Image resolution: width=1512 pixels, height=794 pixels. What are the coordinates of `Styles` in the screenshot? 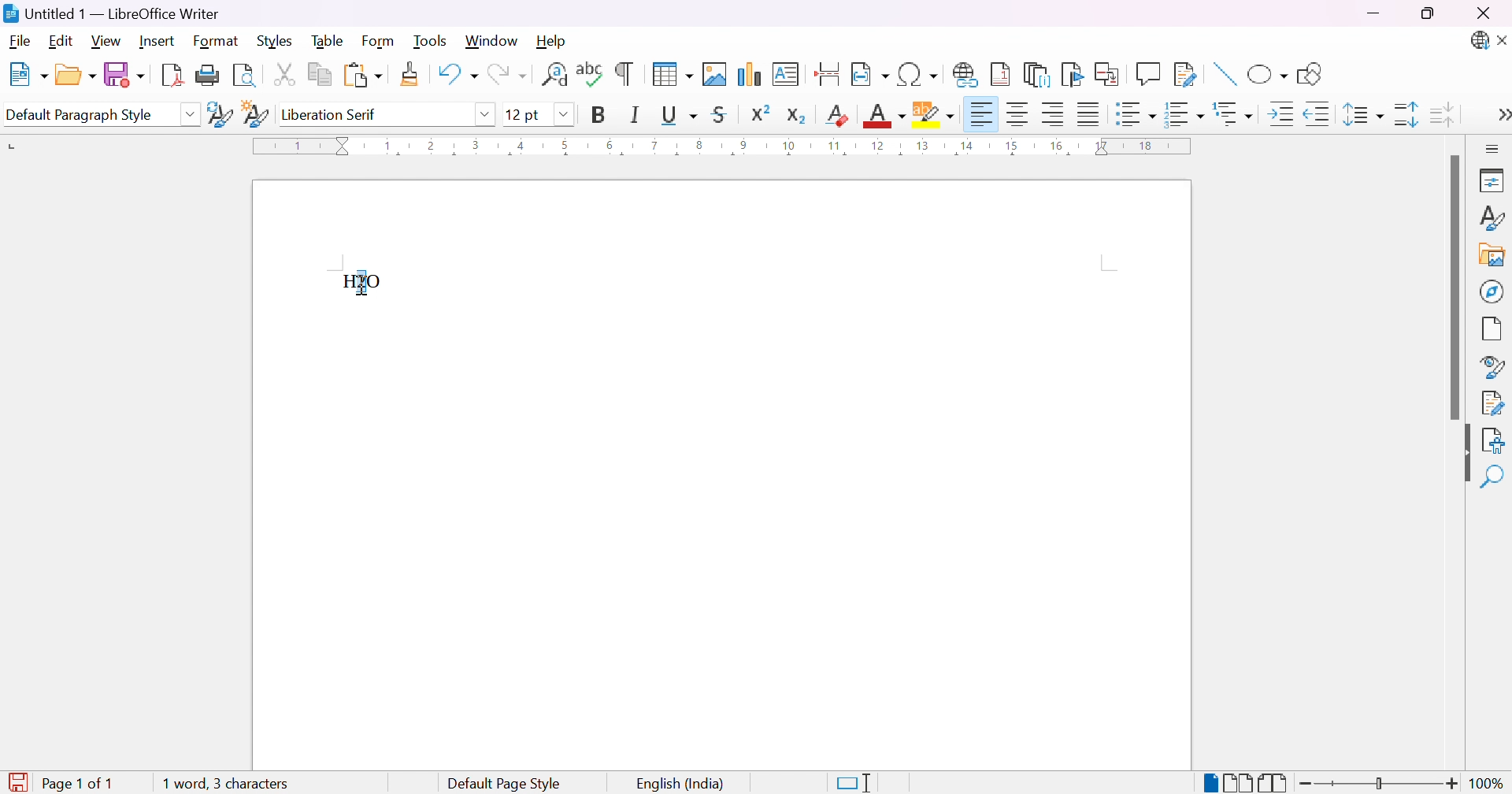 It's located at (1491, 222).